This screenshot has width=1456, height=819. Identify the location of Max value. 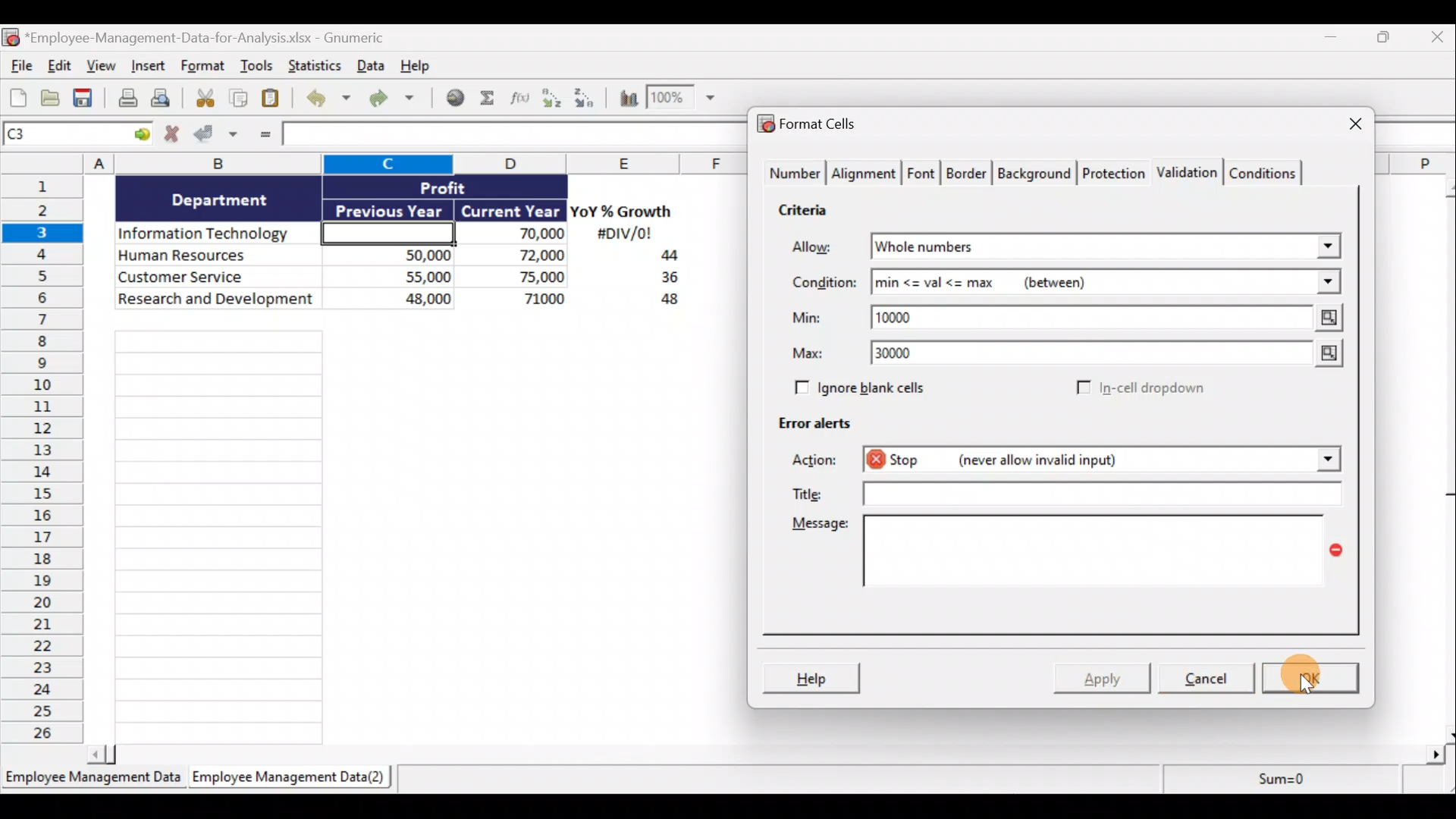
(1320, 355).